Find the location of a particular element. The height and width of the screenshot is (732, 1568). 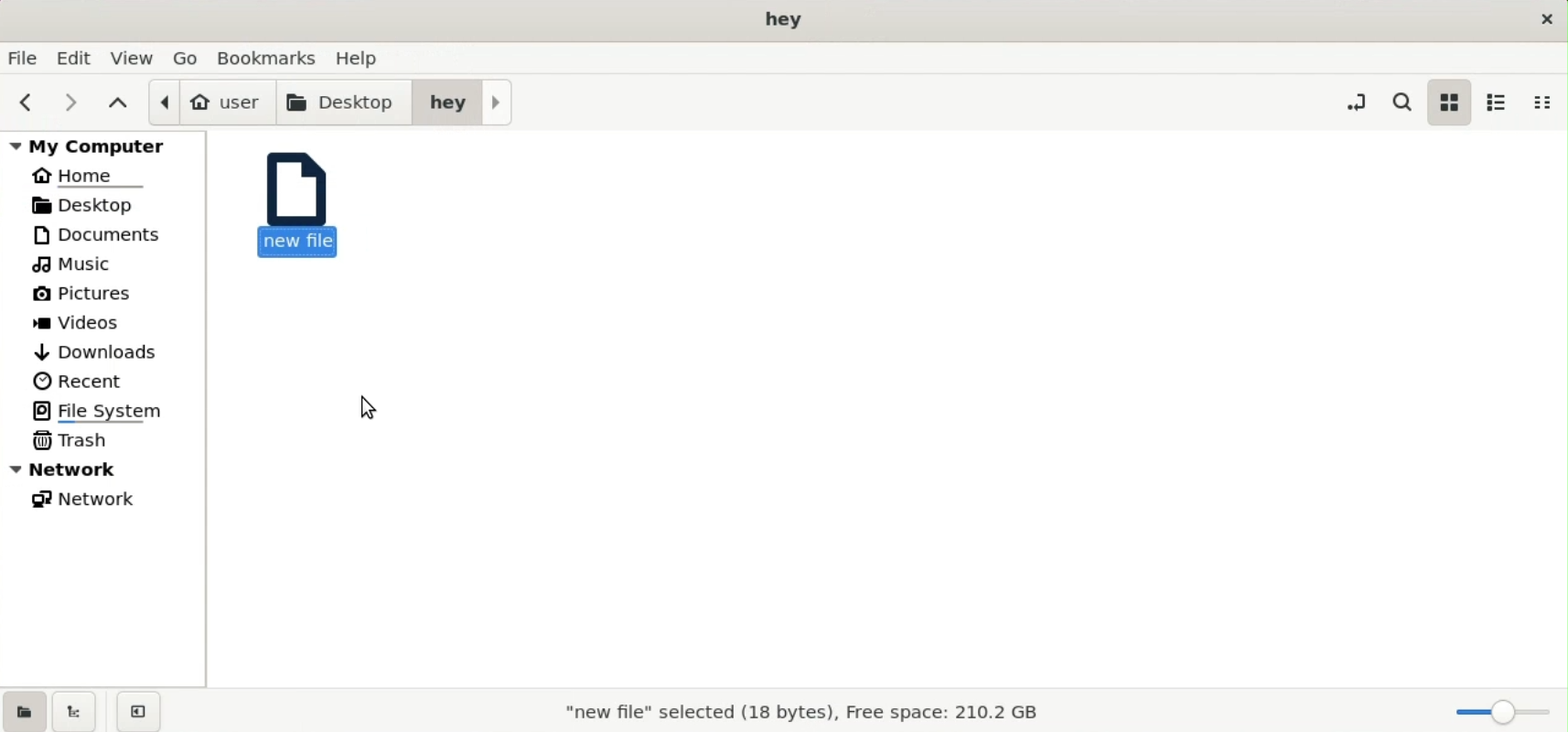

cursor is located at coordinates (366, 405).